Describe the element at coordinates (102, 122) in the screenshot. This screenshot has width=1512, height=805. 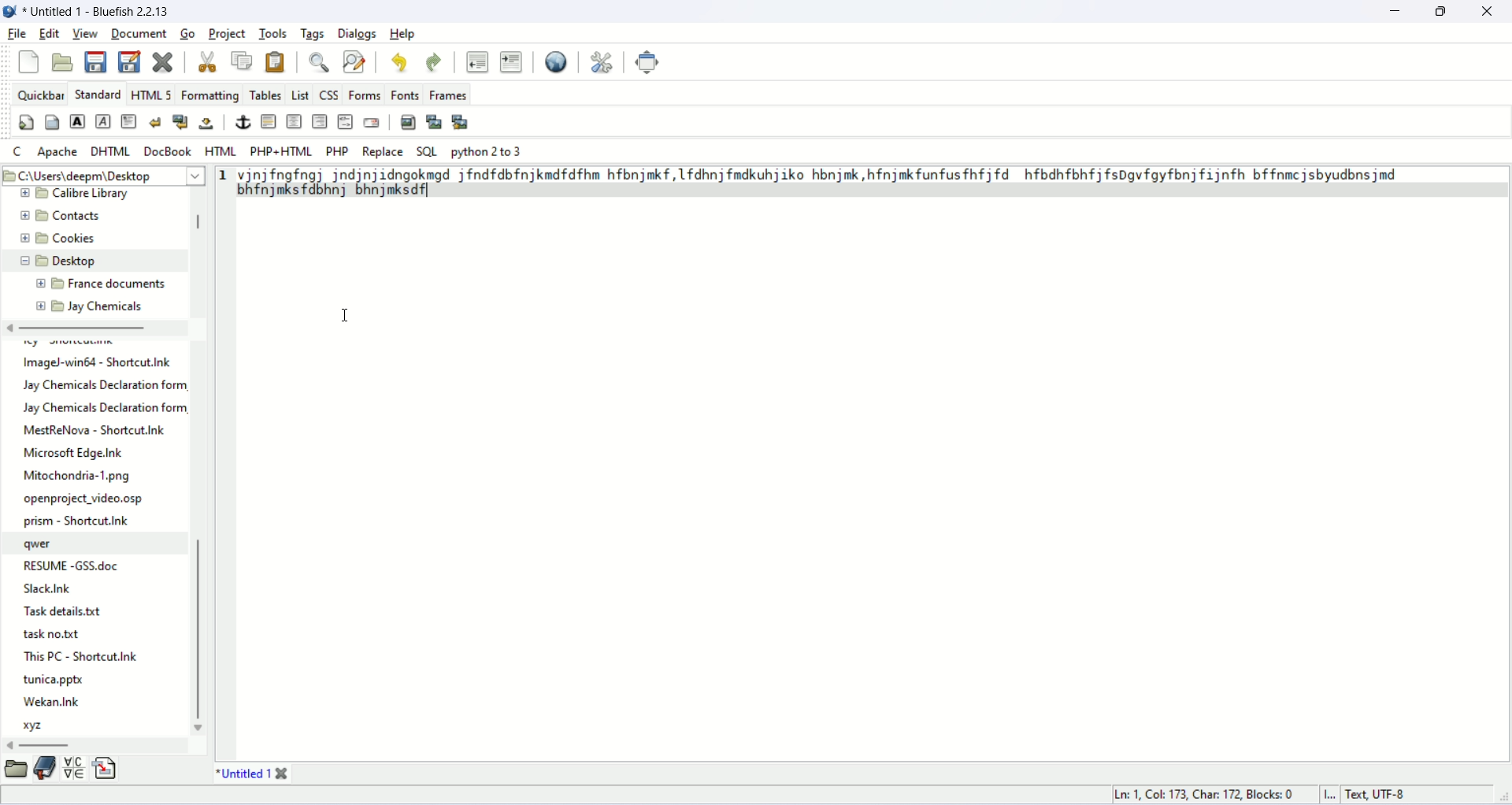
I see `emphasis` at that location.